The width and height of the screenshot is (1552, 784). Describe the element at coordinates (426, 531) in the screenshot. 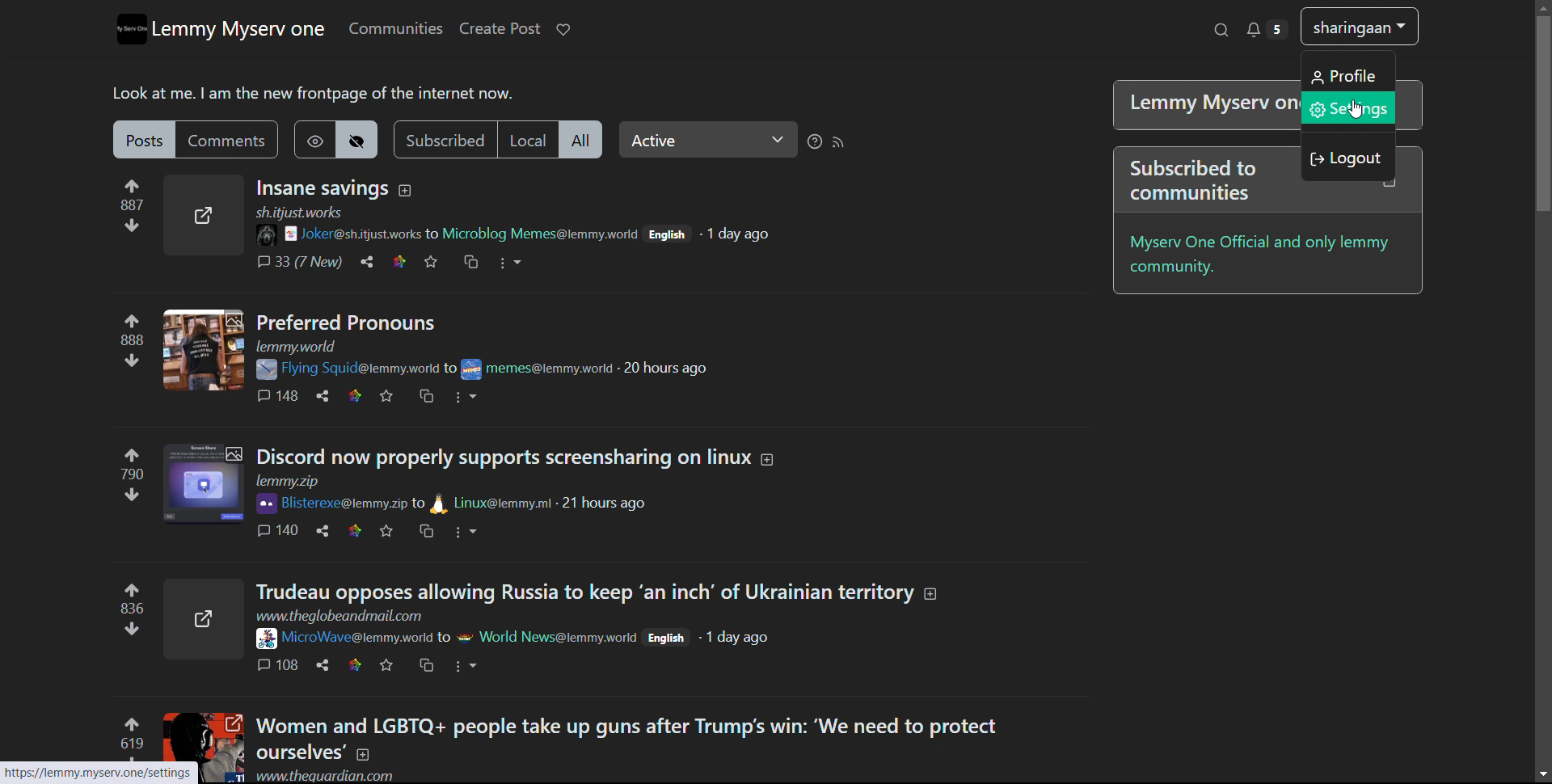

I see `crosspost` at that location.